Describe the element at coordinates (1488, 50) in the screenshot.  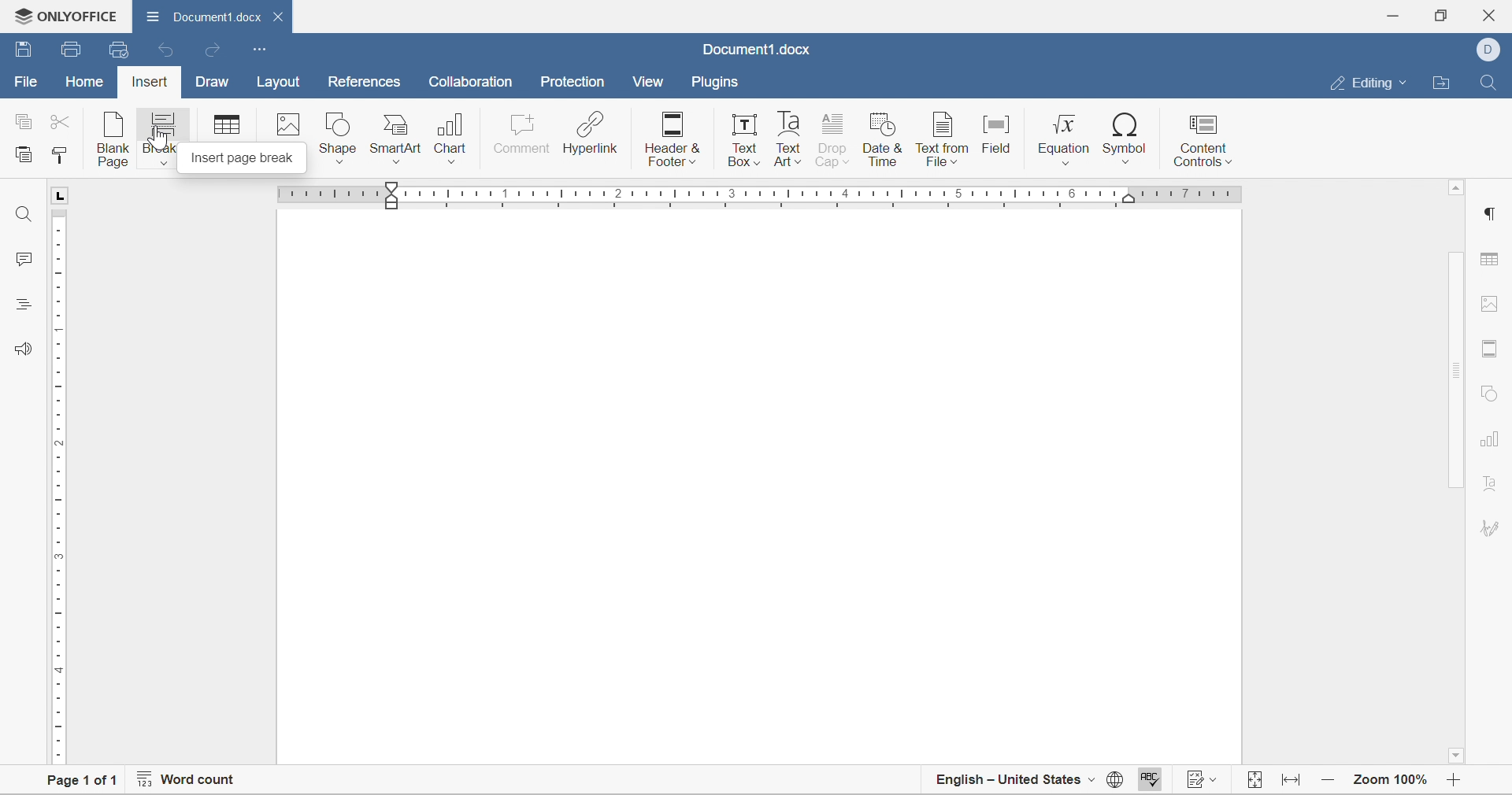
I see `D` at that location.